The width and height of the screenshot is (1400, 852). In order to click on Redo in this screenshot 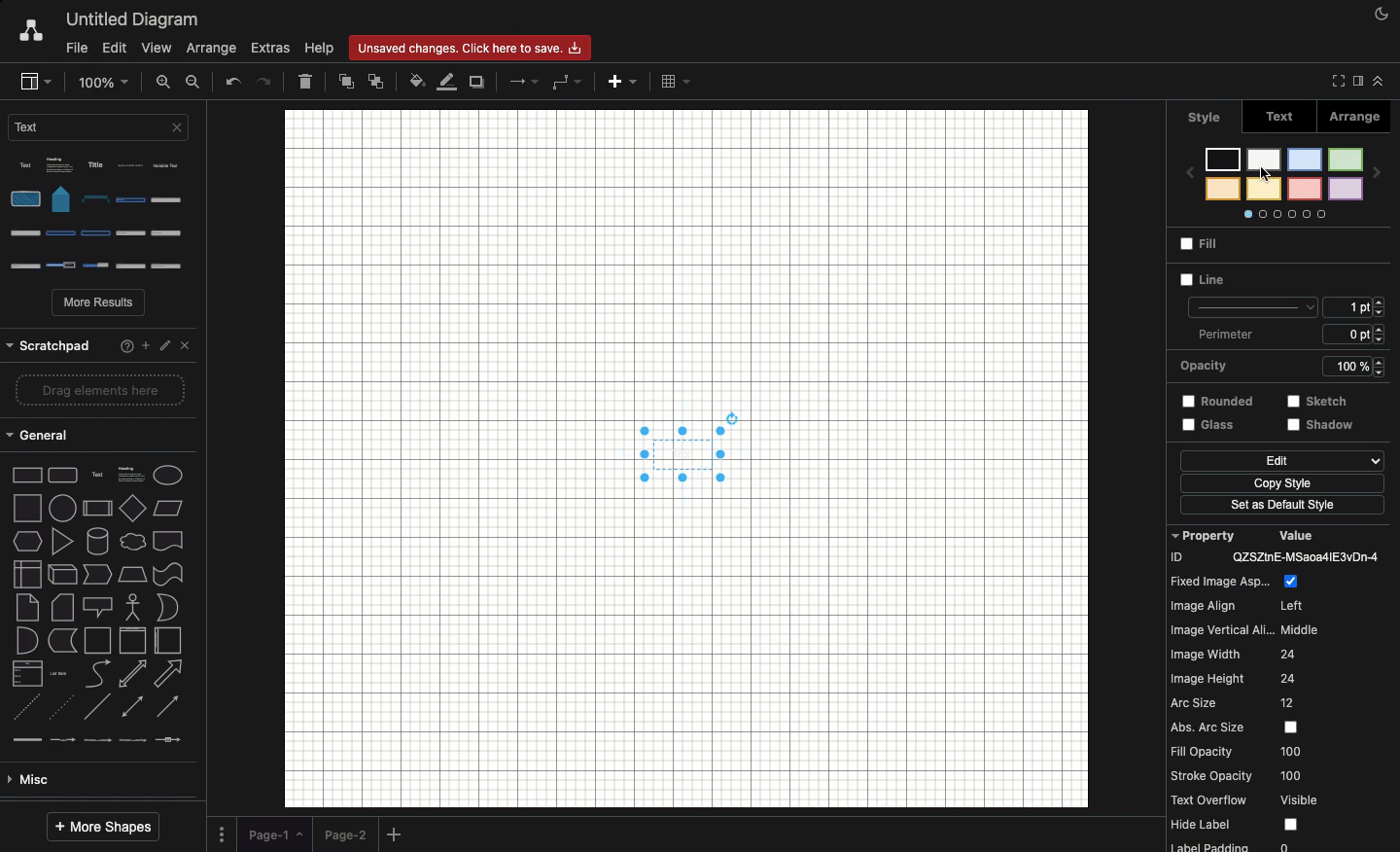, I will do `click(266, 81)`.